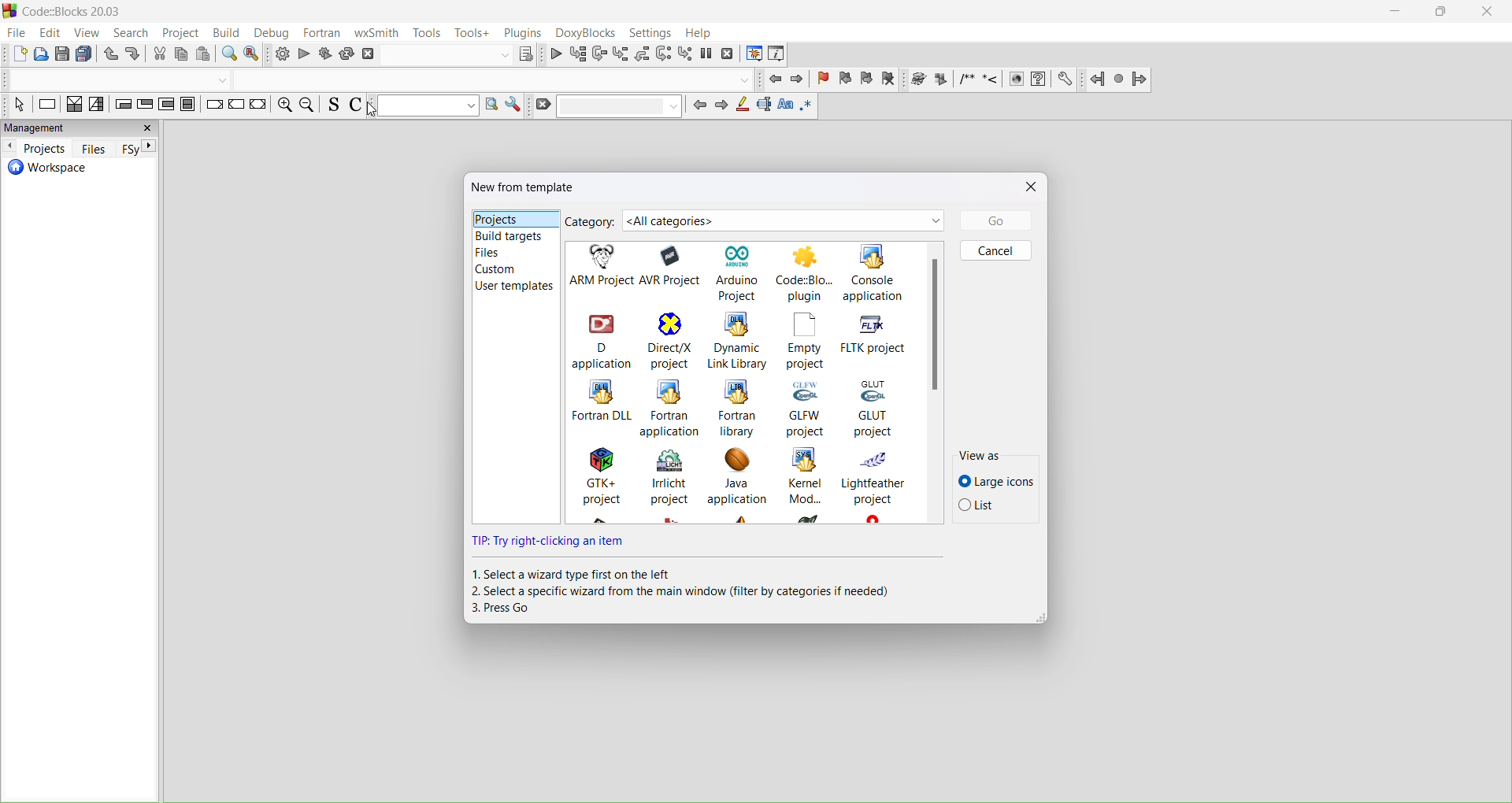 This screenshot has height=803, width=1512. Describe the element at coordinates (82, 128) in the screenshot. I see `management` at that location.